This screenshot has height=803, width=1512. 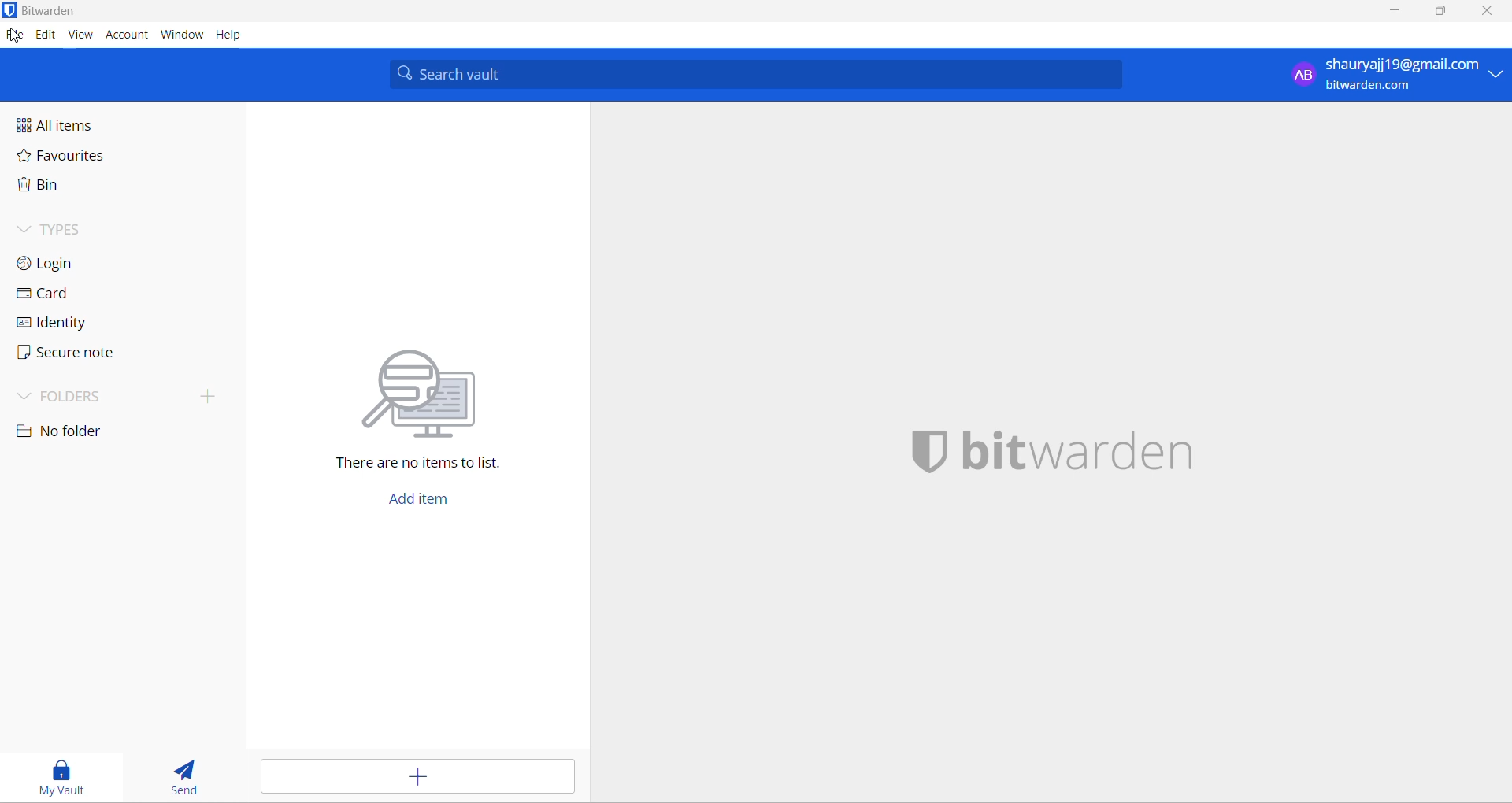 What do you see at coordinates (1396, 13) in the screenshot?
I see `minimize` at bounding box center [1396, 13].